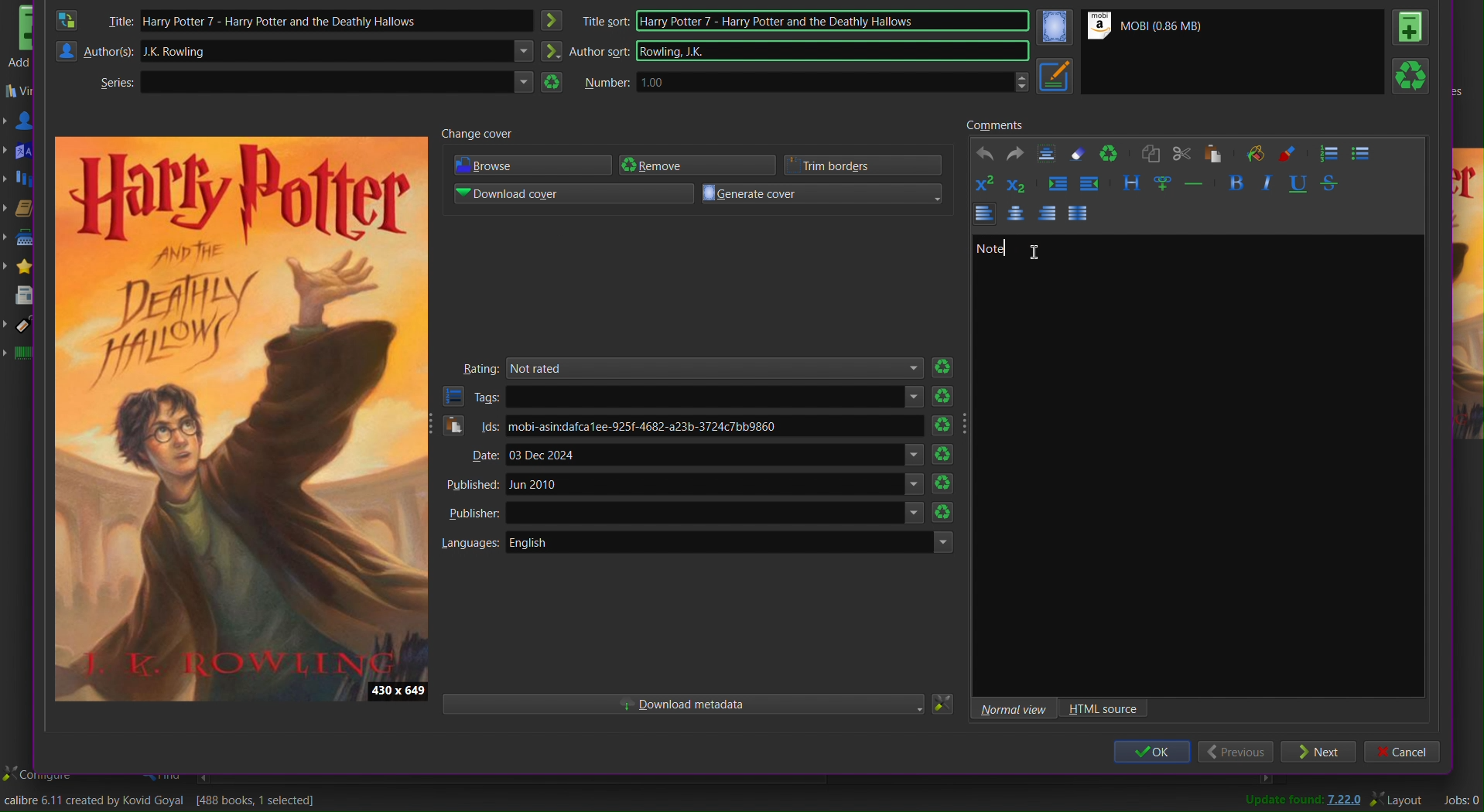 This screenshot has width=1484, height=812. I want to click on English, so click(733, 541).